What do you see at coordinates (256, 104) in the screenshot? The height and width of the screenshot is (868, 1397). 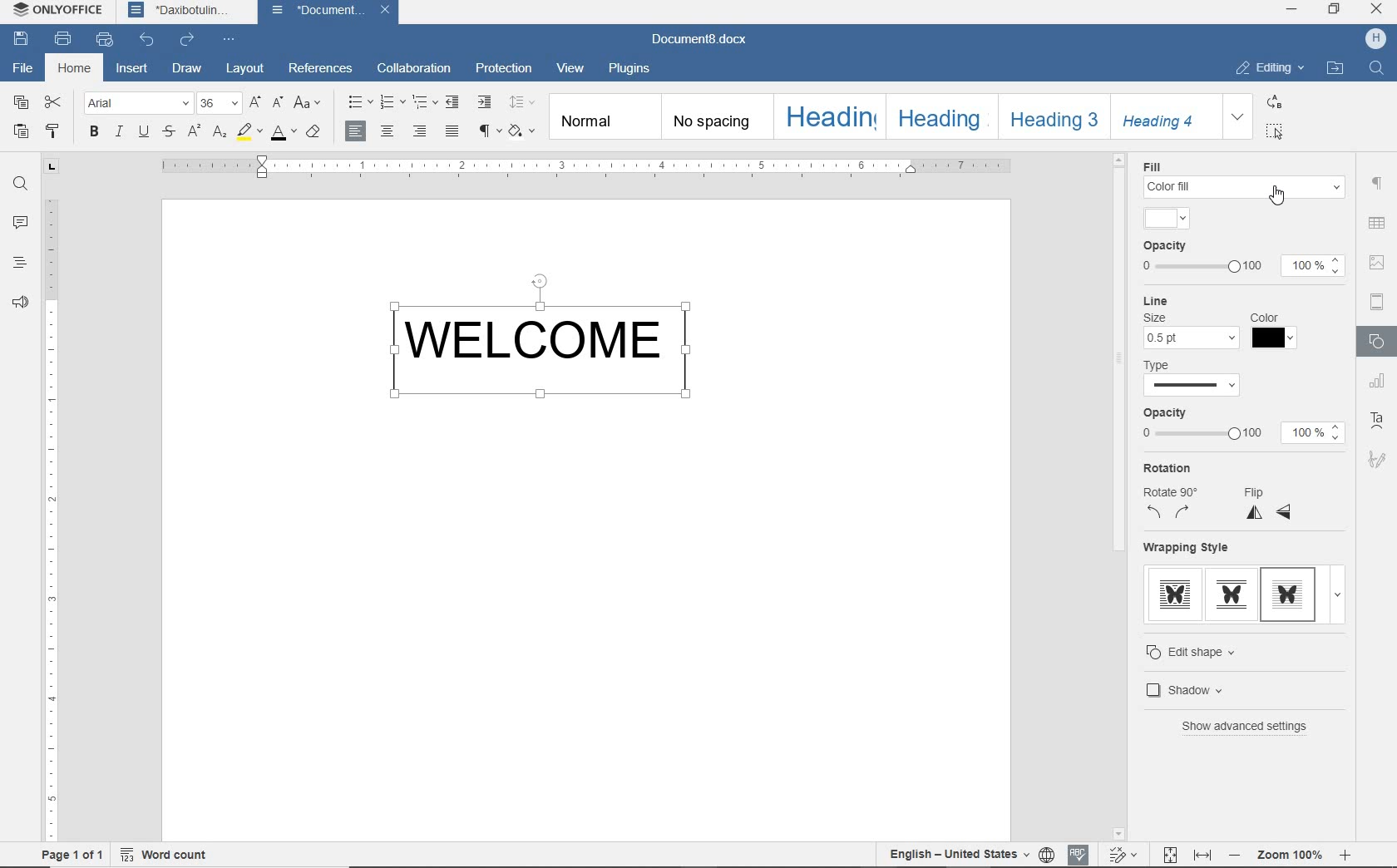 I see `INCREMENT FONT SIZE` at bounding box center [256, 104].